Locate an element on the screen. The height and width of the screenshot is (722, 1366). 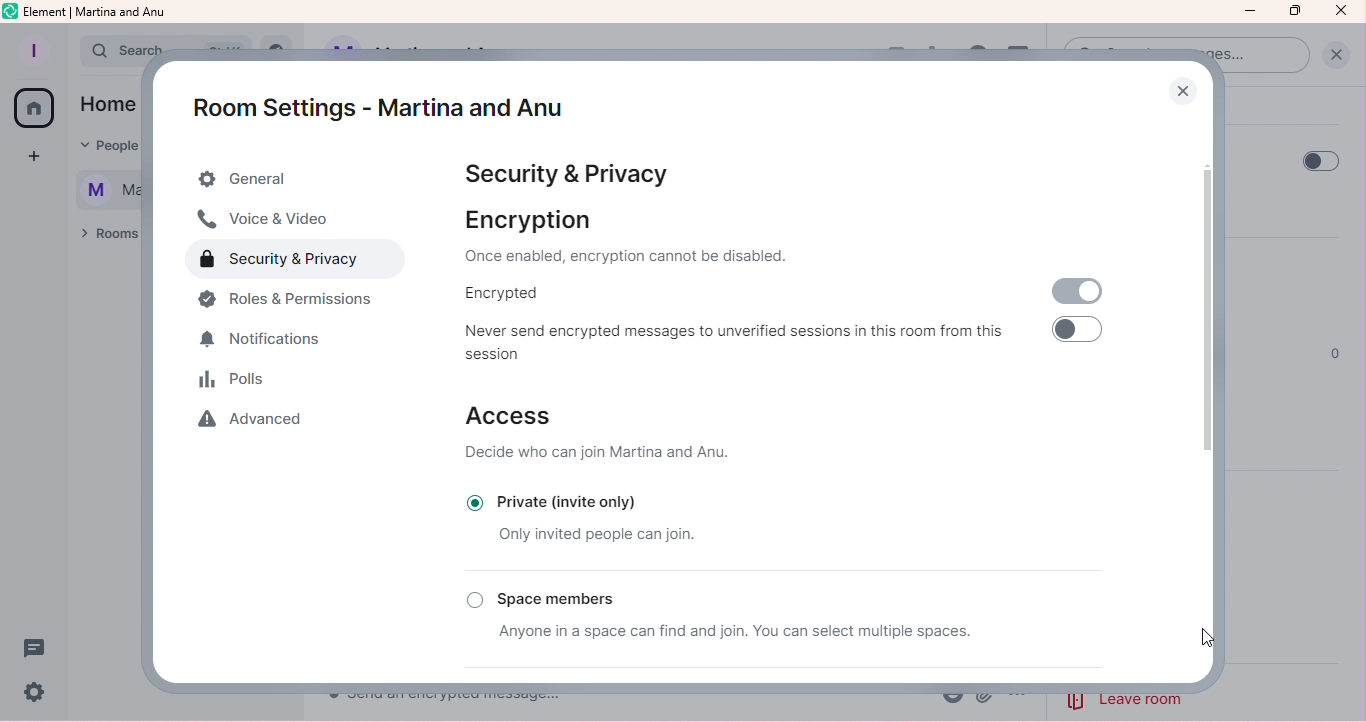
Private (invite only) is located at coordinates (573, 500).